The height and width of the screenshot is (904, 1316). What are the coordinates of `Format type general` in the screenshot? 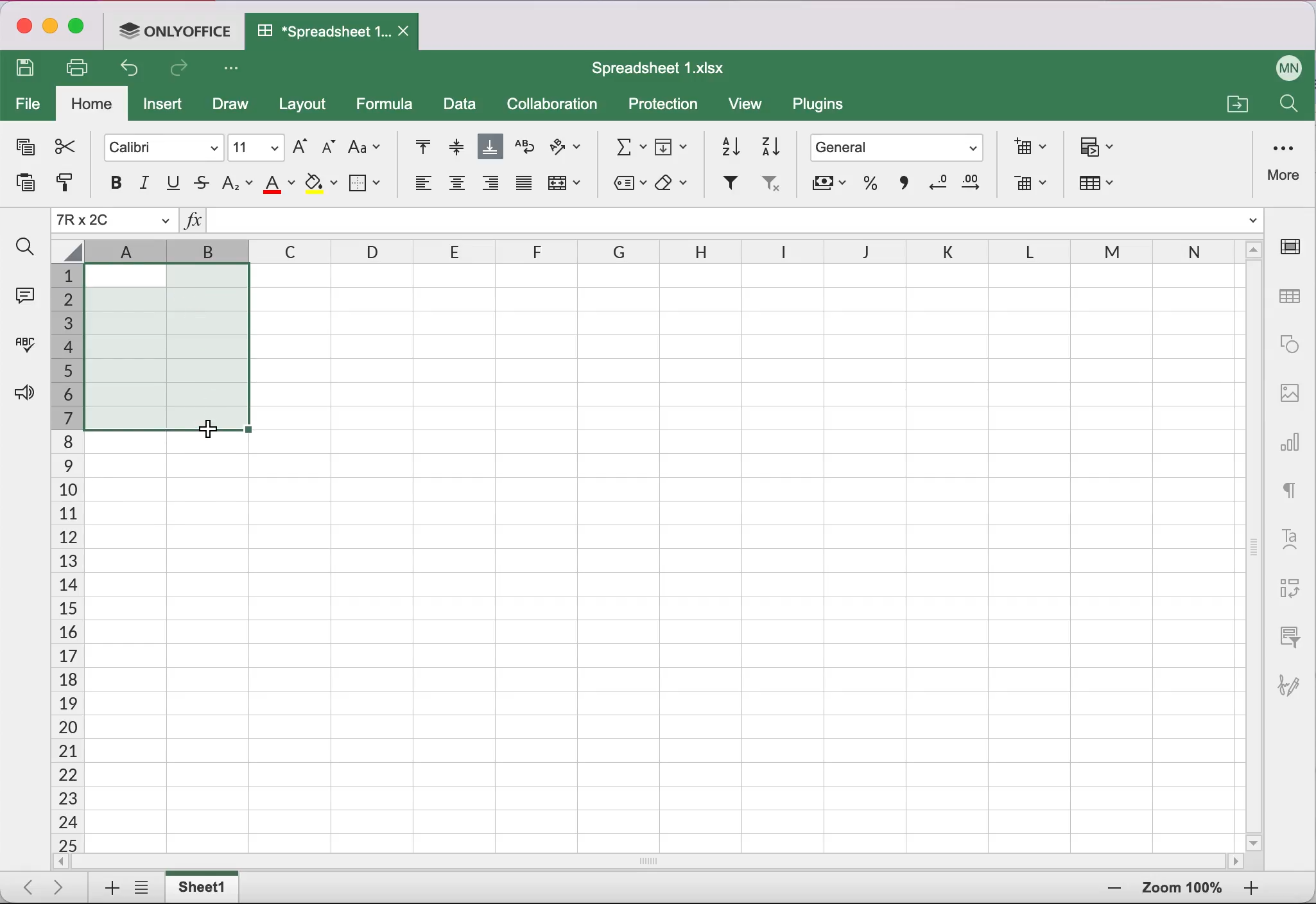 It's located at (900, 150).